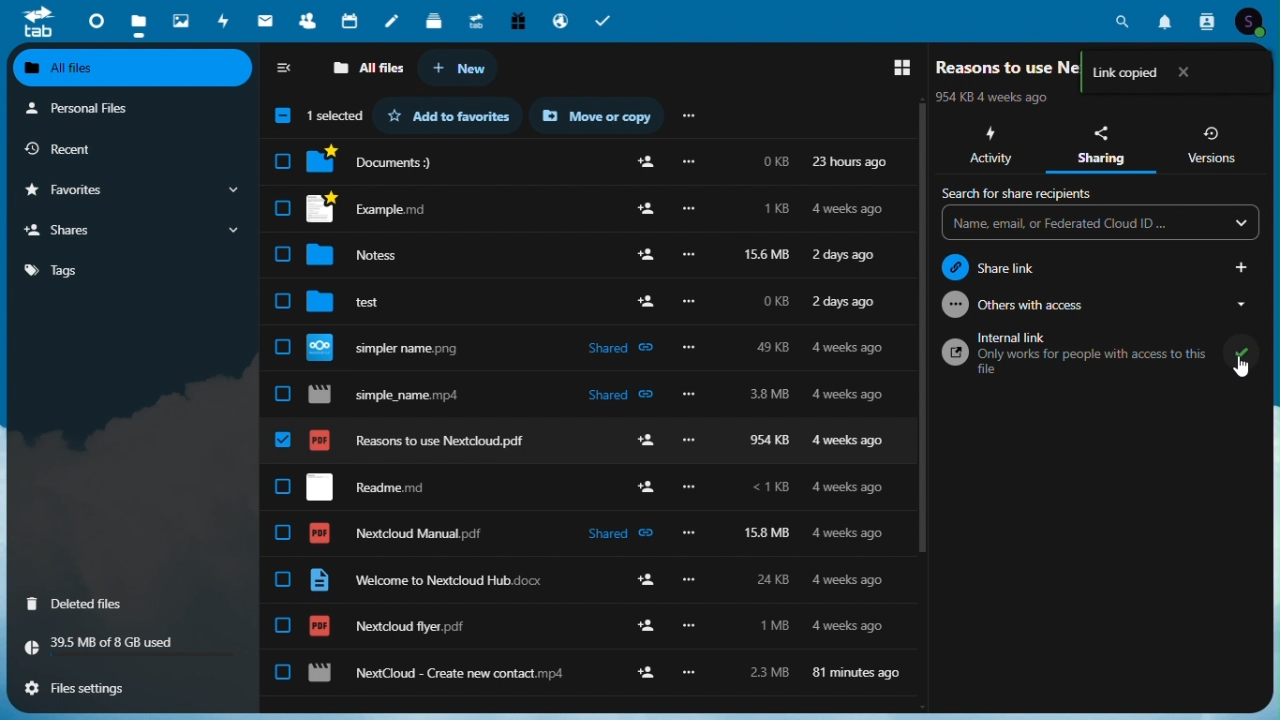 The width and height of the screenshot is (1280, 720). Describe the element at coordinates (282, 349) in the screenshot. I see `checkbox` at that location.